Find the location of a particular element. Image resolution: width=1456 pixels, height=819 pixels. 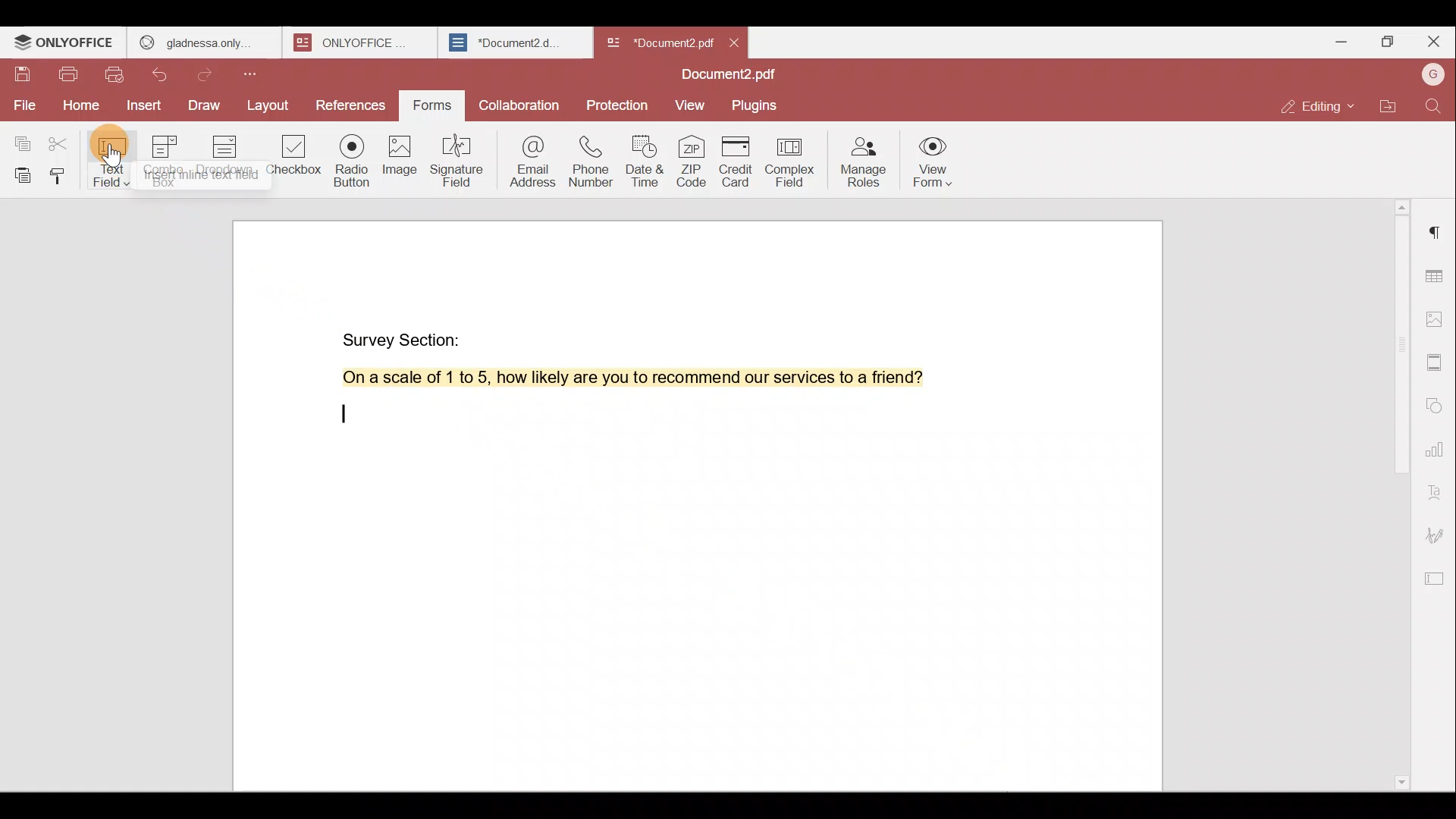

Complex field is located at coordinates (794, 163).